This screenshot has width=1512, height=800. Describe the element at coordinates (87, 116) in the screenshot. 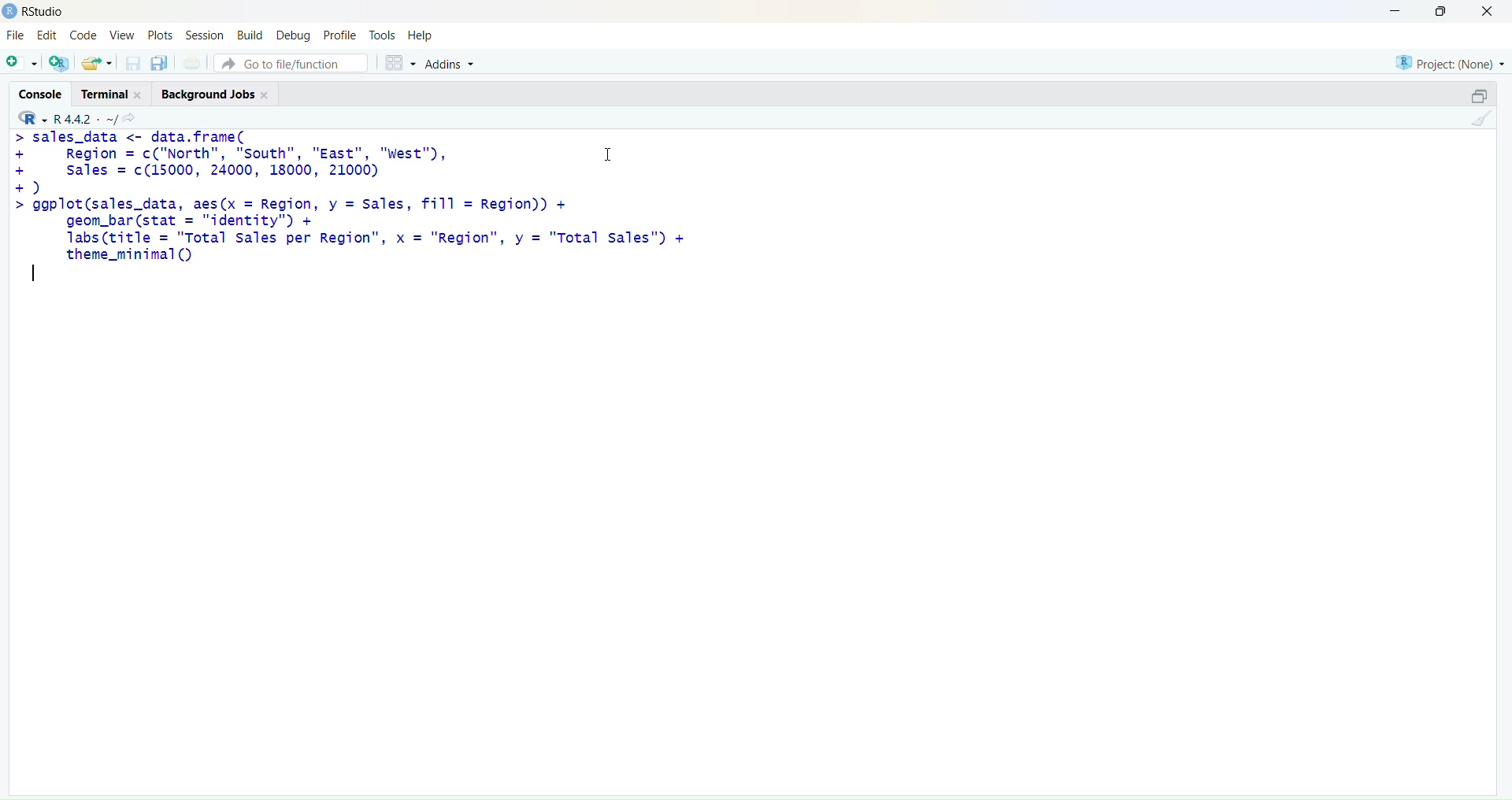

I see `- R442 - ~/` at that location.